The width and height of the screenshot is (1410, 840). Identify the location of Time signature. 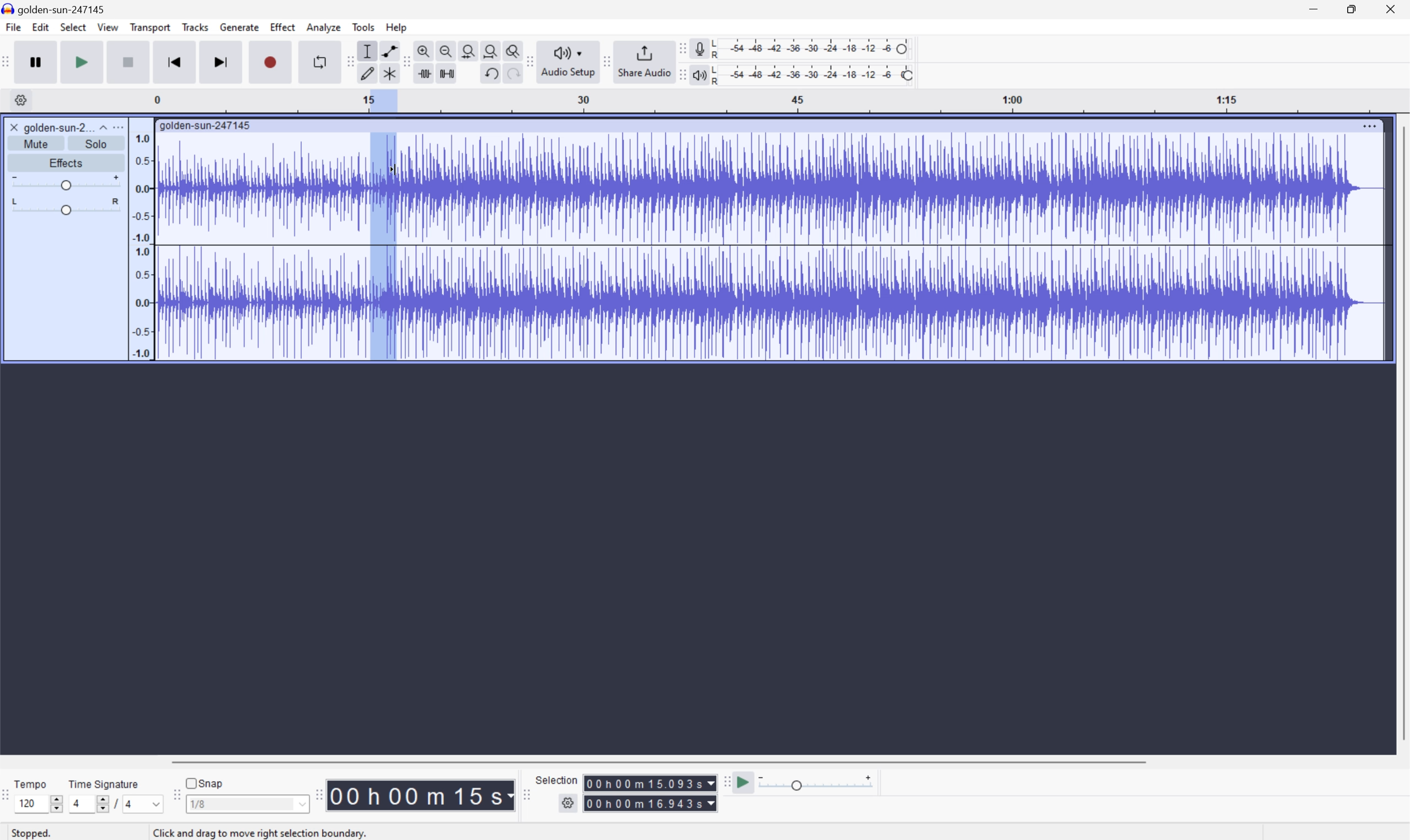
(104, 782).